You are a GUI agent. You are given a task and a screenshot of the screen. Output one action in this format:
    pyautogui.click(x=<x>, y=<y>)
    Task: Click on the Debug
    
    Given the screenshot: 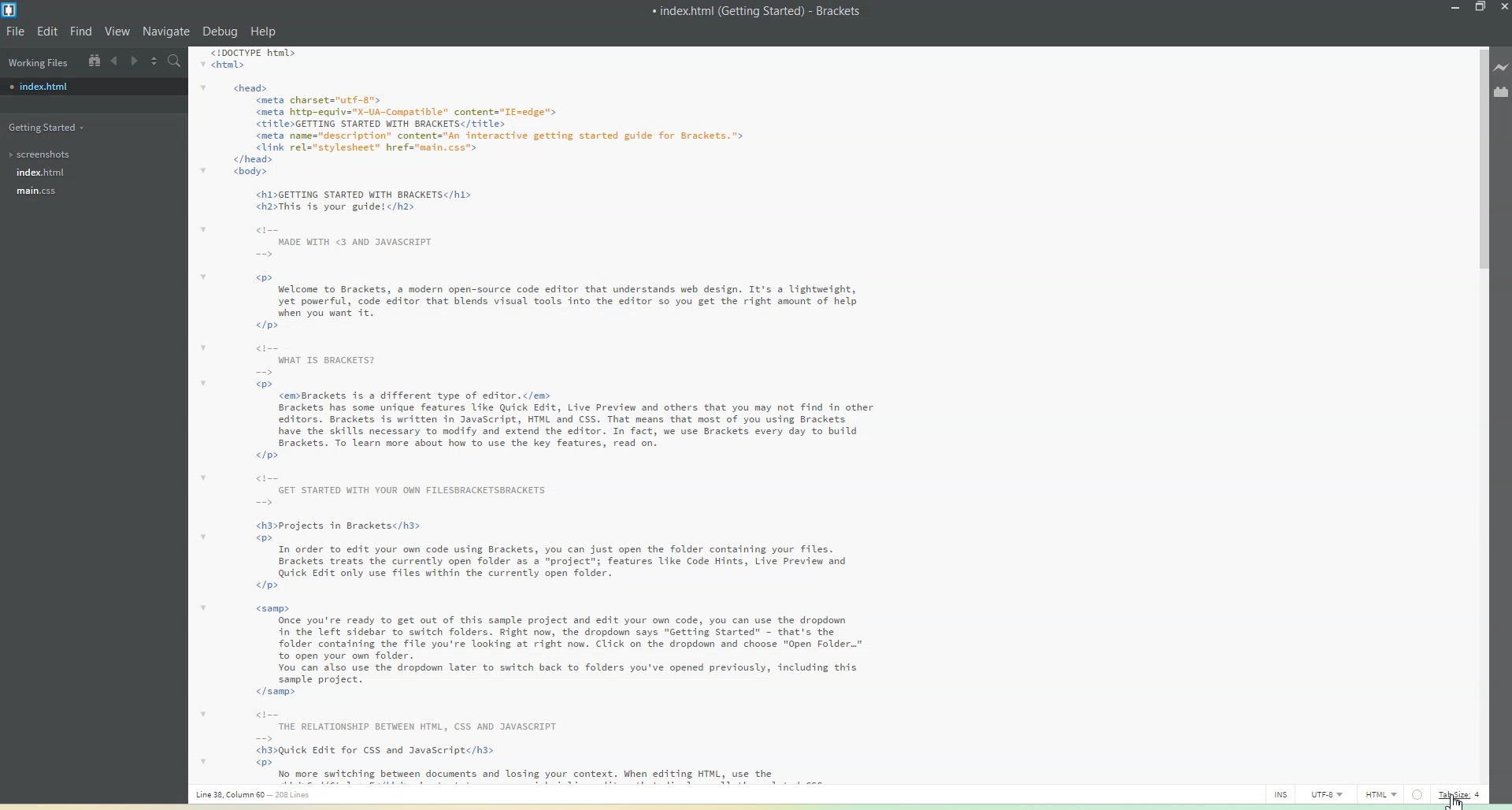 What is the action you would take?
    pyautogui.click(x=220, y=32)
    